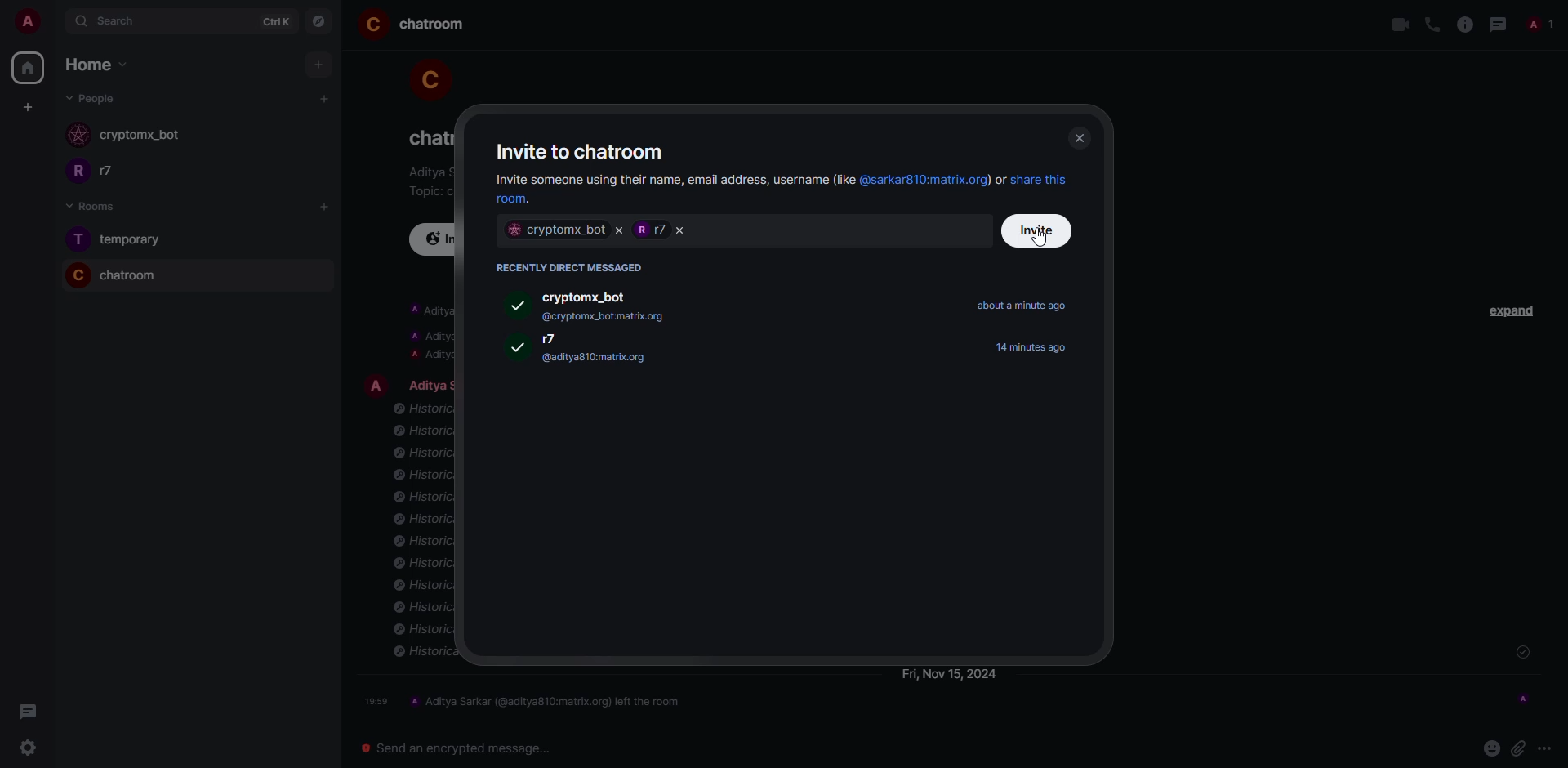  Describe the element at coordinates (428, 190) in the screenshot. I see `topic chat` at that location.